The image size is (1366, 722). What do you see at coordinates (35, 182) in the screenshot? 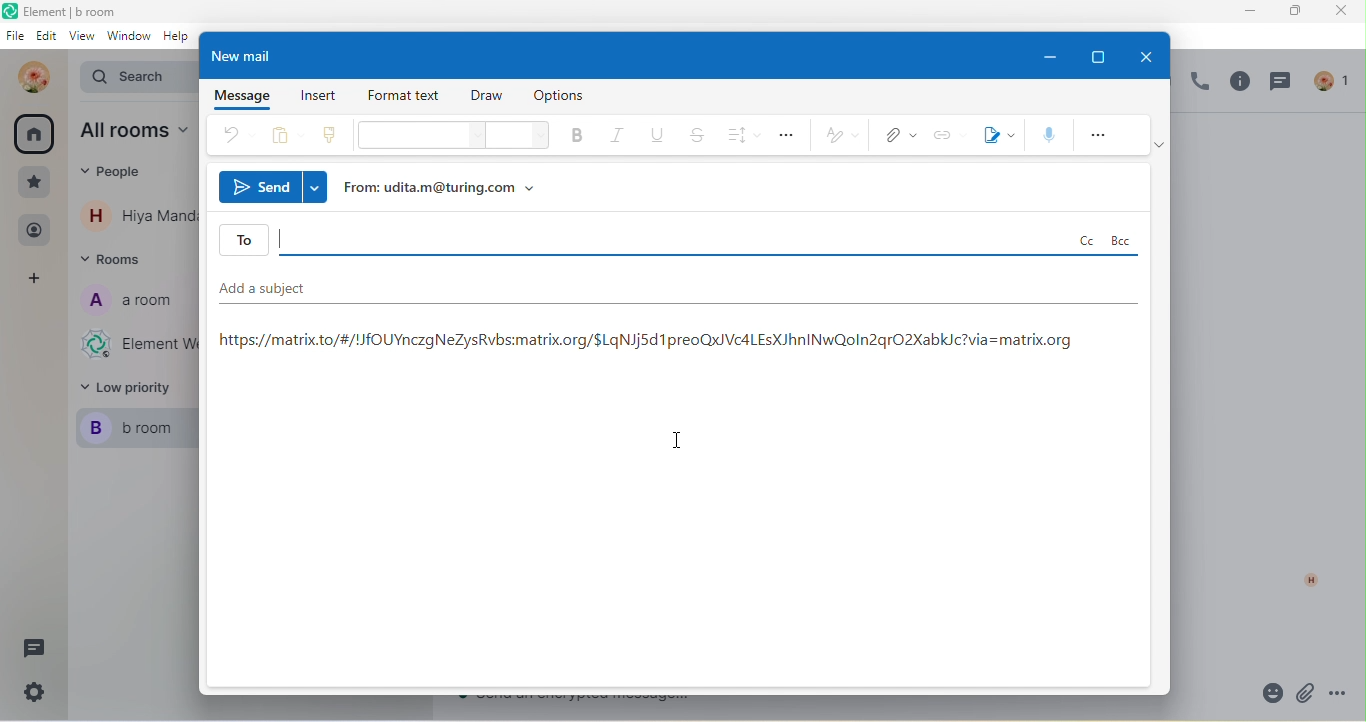
I see `favourite` at bounding box center [35, 182].